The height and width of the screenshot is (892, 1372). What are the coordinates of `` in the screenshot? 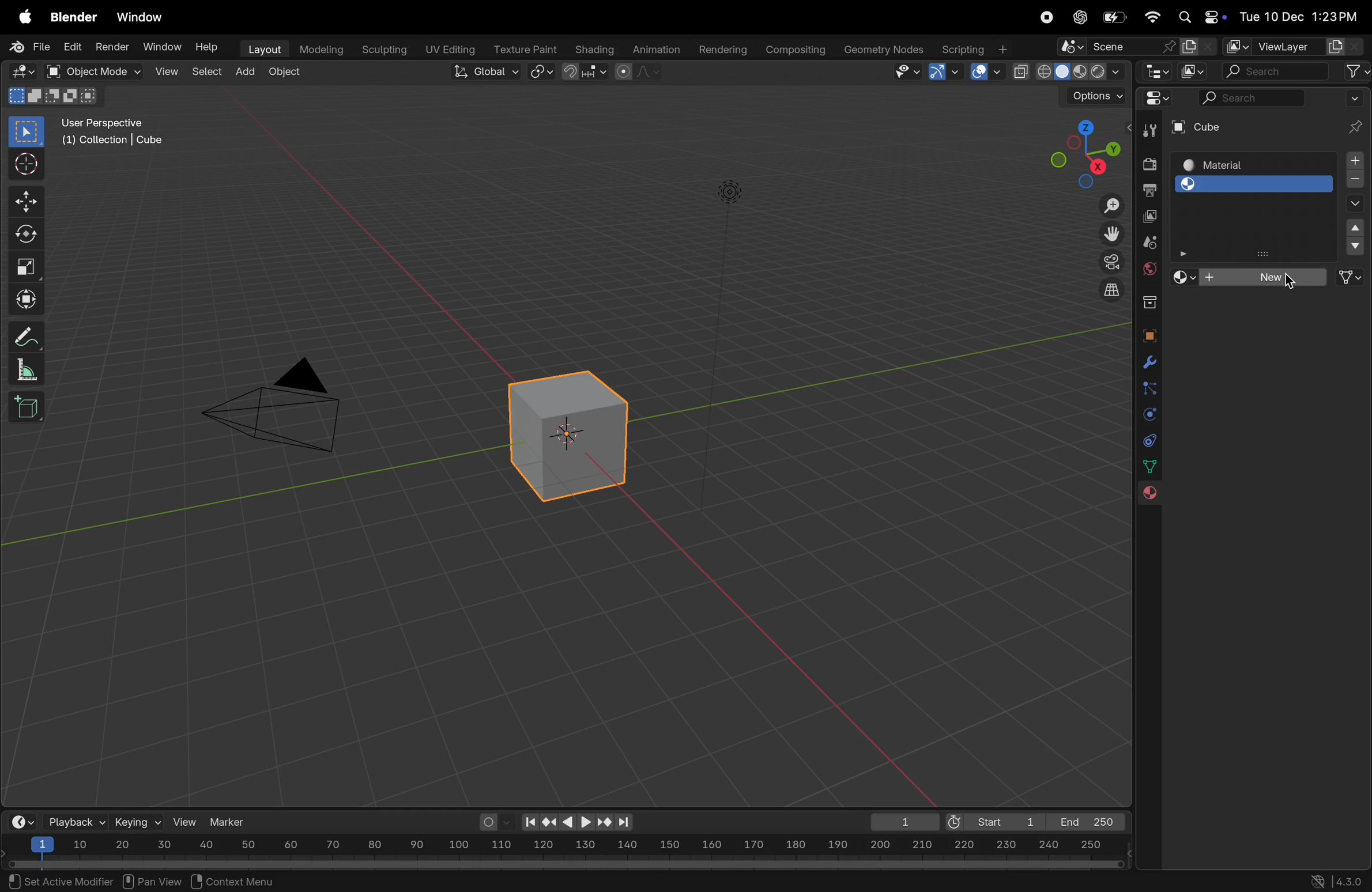 It's located at (1151, 467).